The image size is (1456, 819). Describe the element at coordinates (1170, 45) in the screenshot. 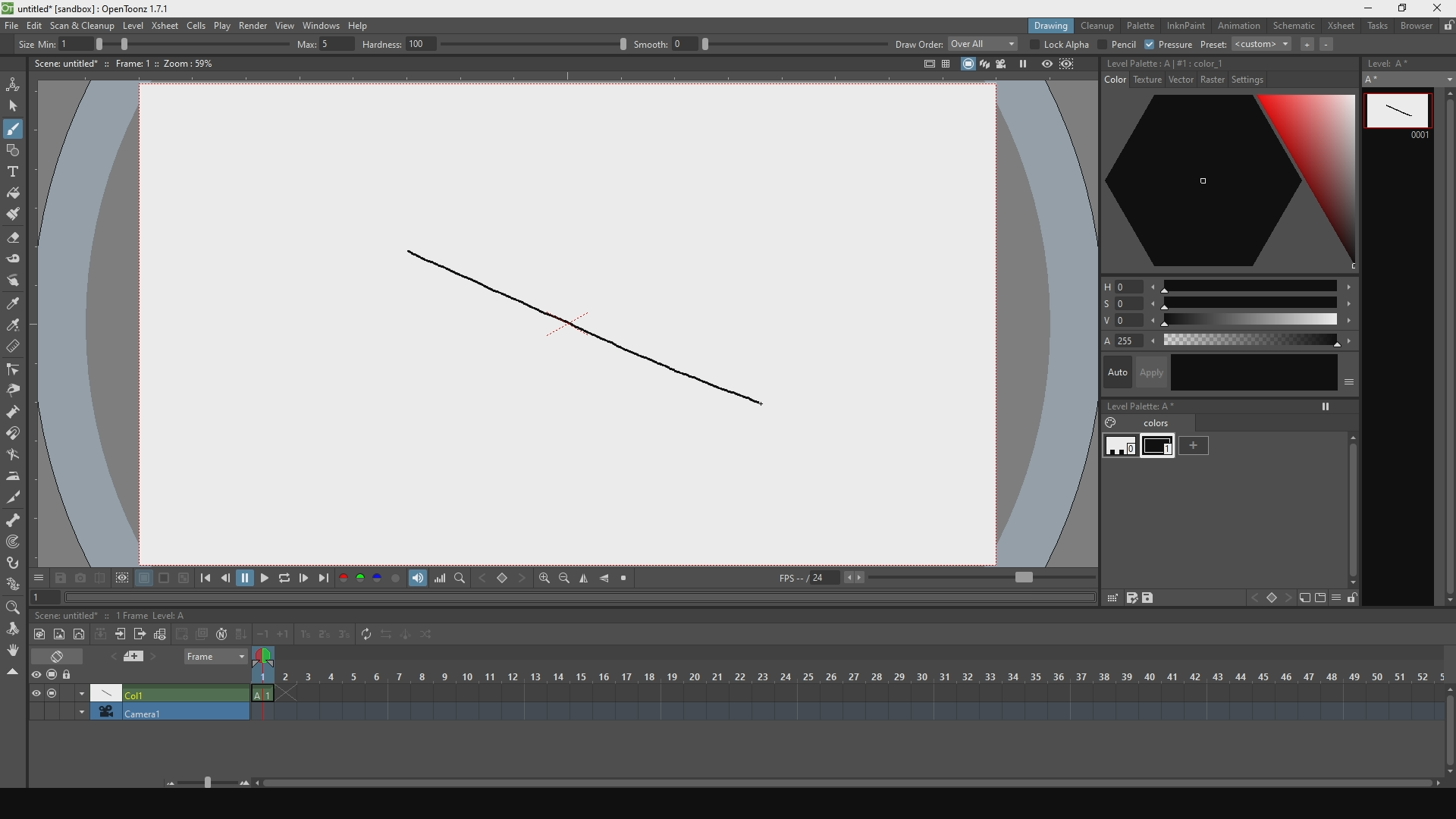

I see `pressure` at that location.